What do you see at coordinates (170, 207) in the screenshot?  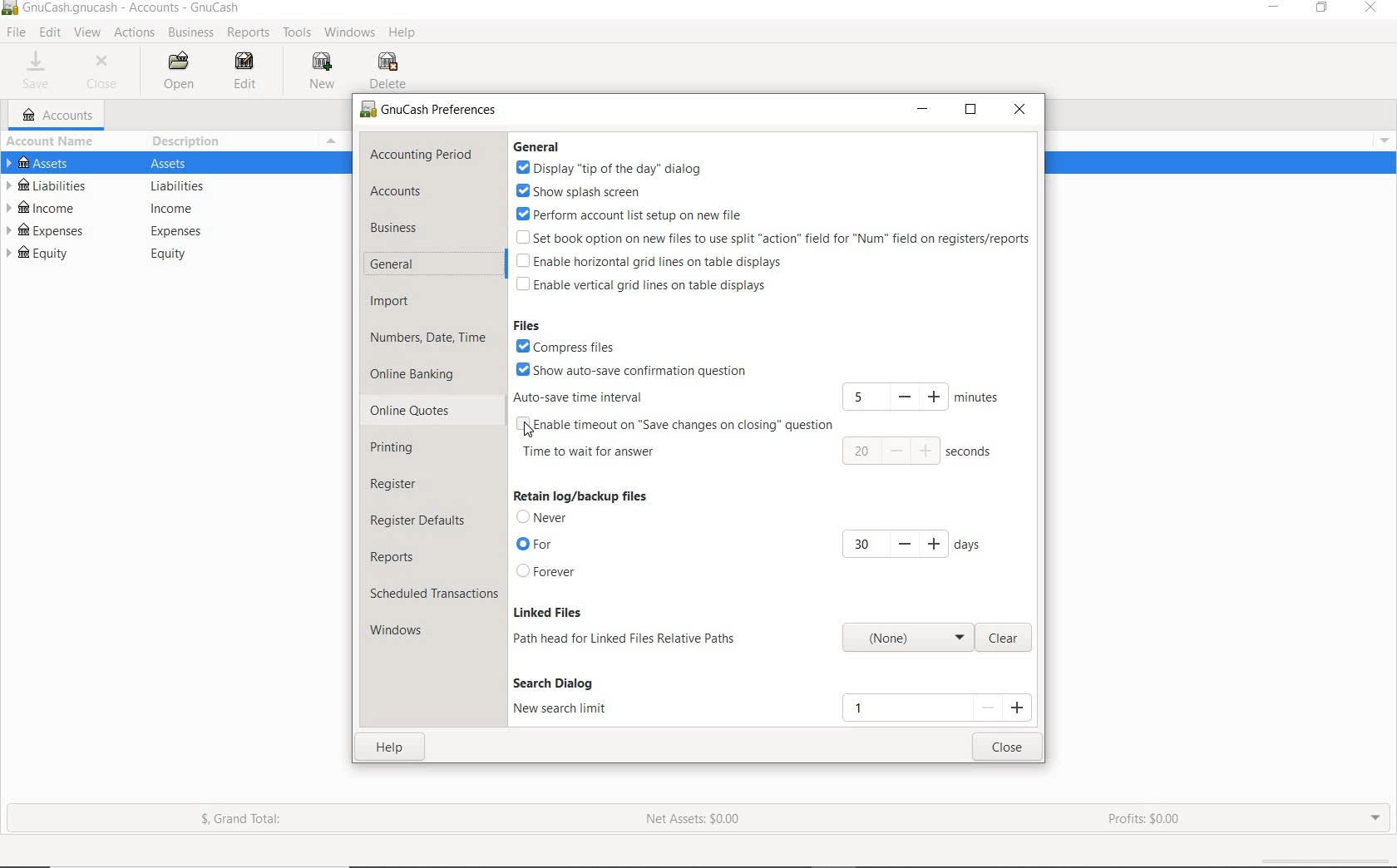 I see `INCOME` at bounding box center [170, 207].